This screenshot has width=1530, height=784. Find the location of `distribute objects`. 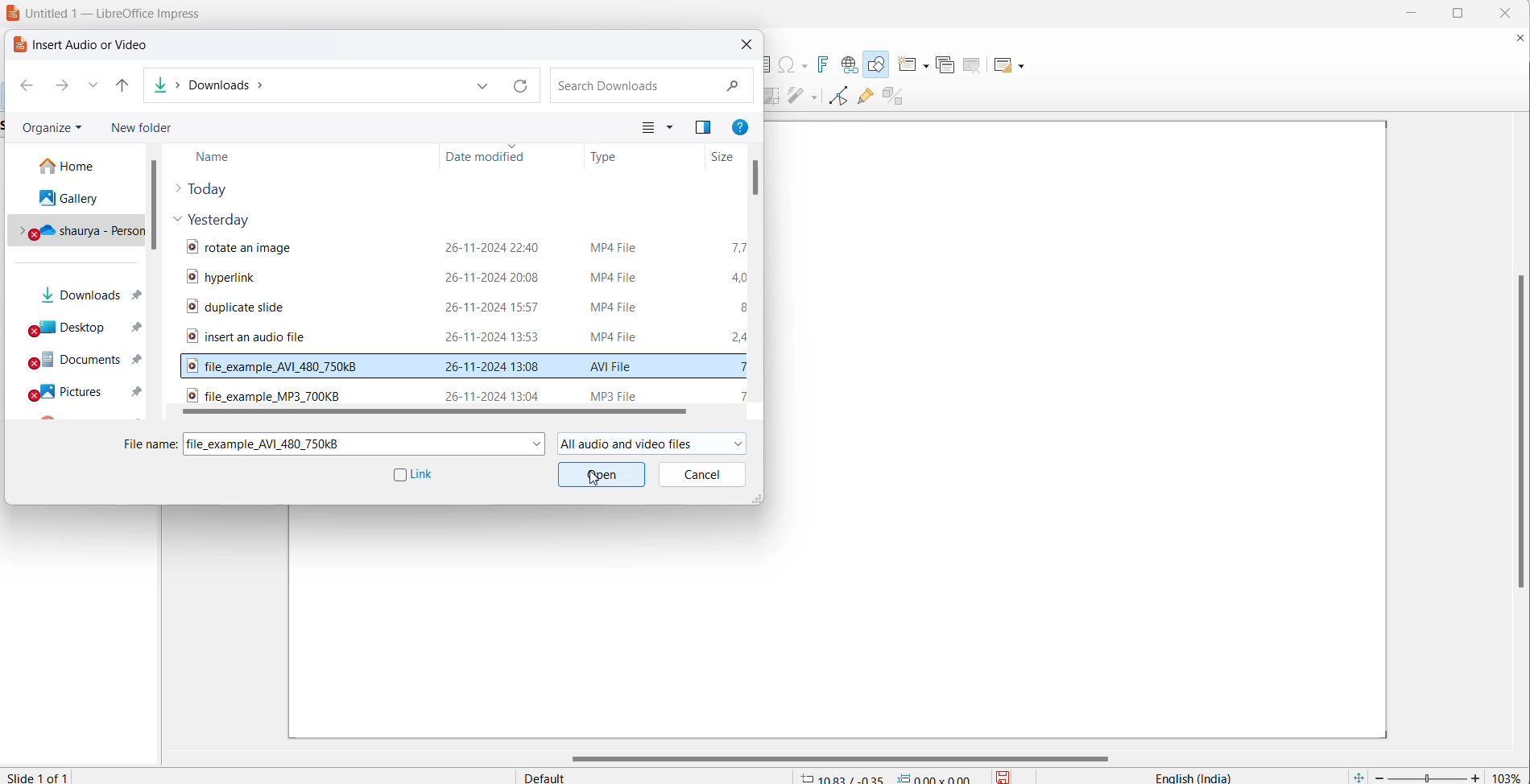

distribute objects is located at coordinates (799, 95).